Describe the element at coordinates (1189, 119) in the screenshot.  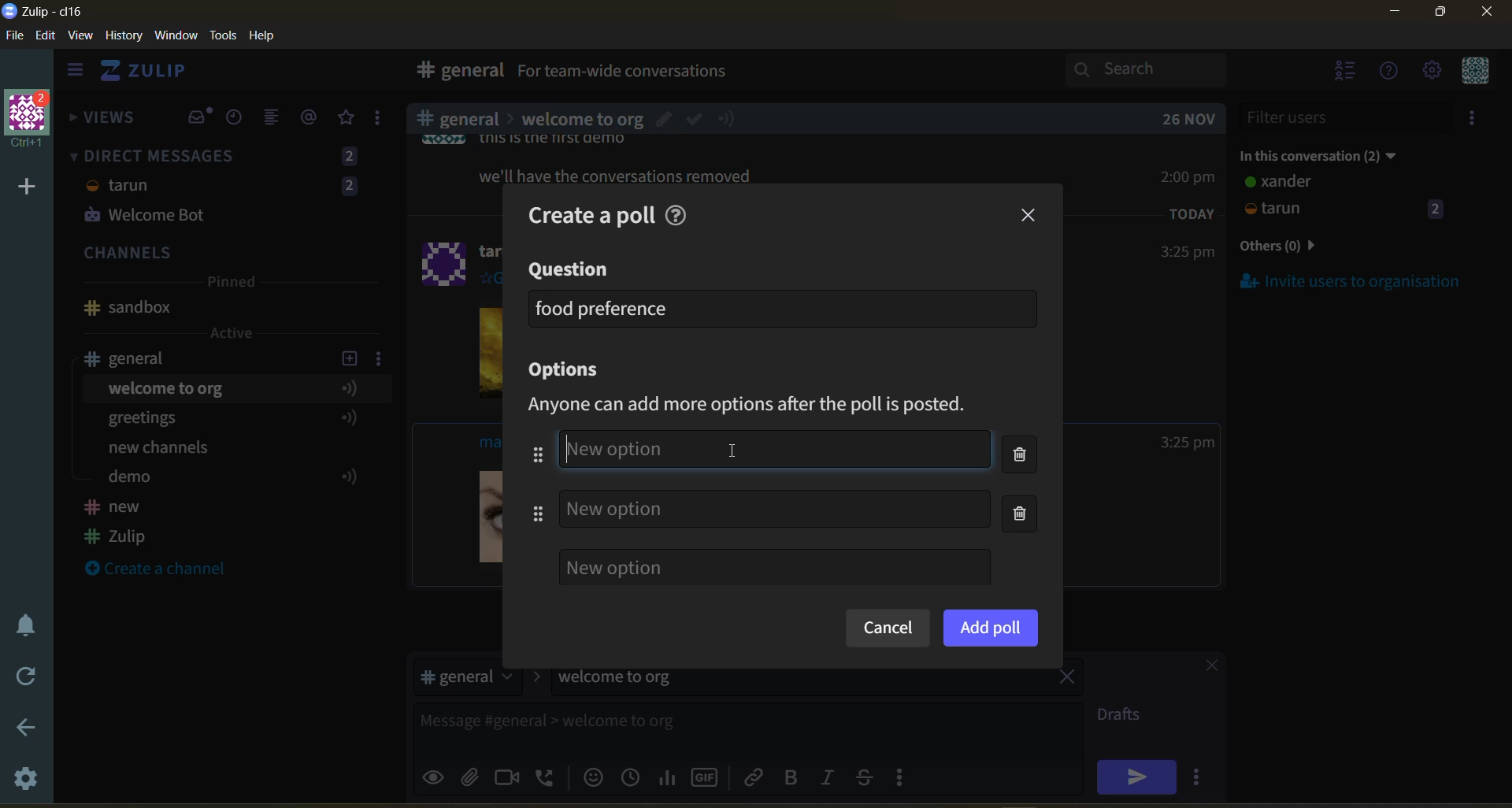
I see `26 nov` at that location.